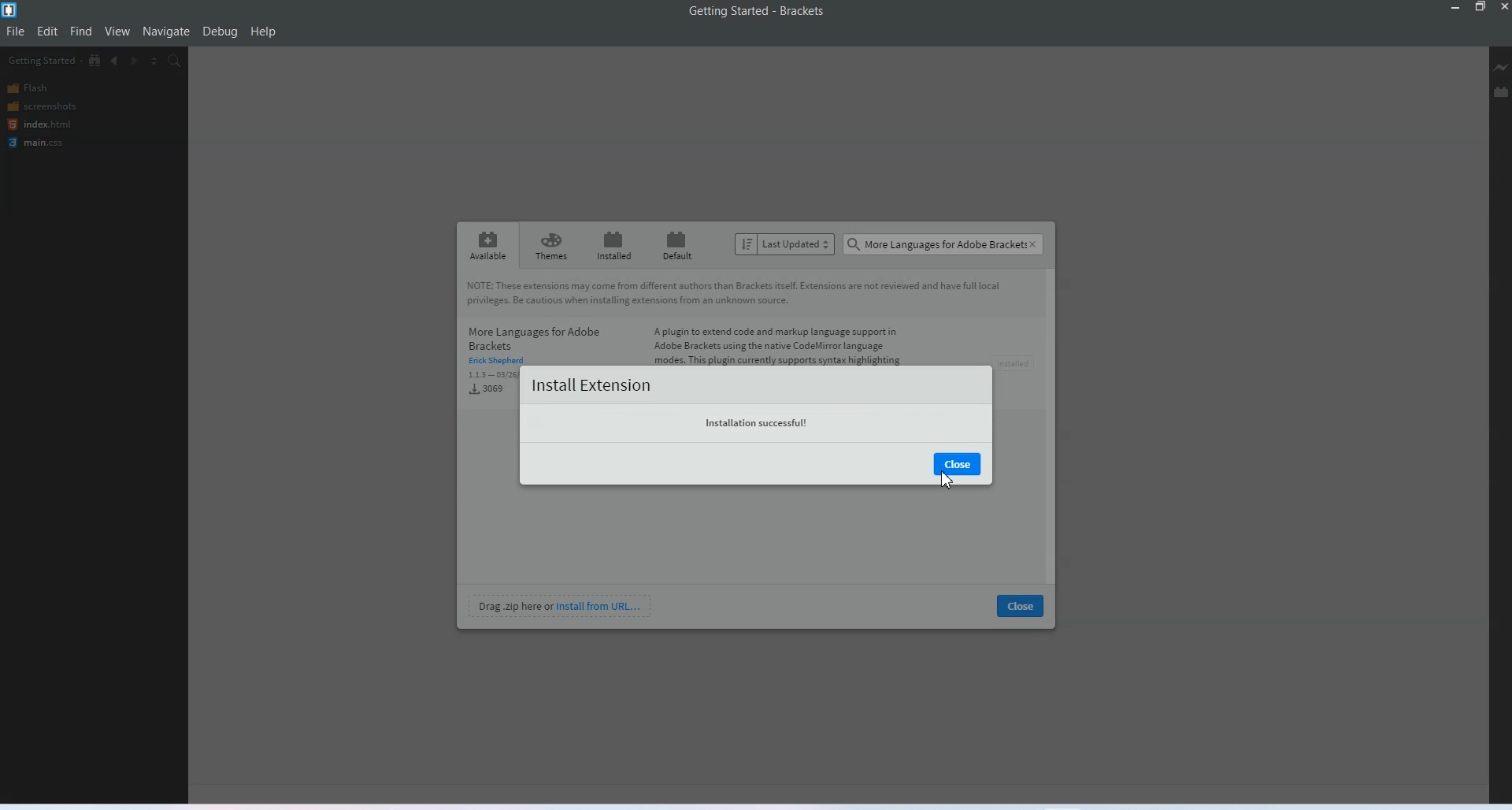 This screenshot has width=1512, height=810. I want to click on Close, so click(1020, 604).